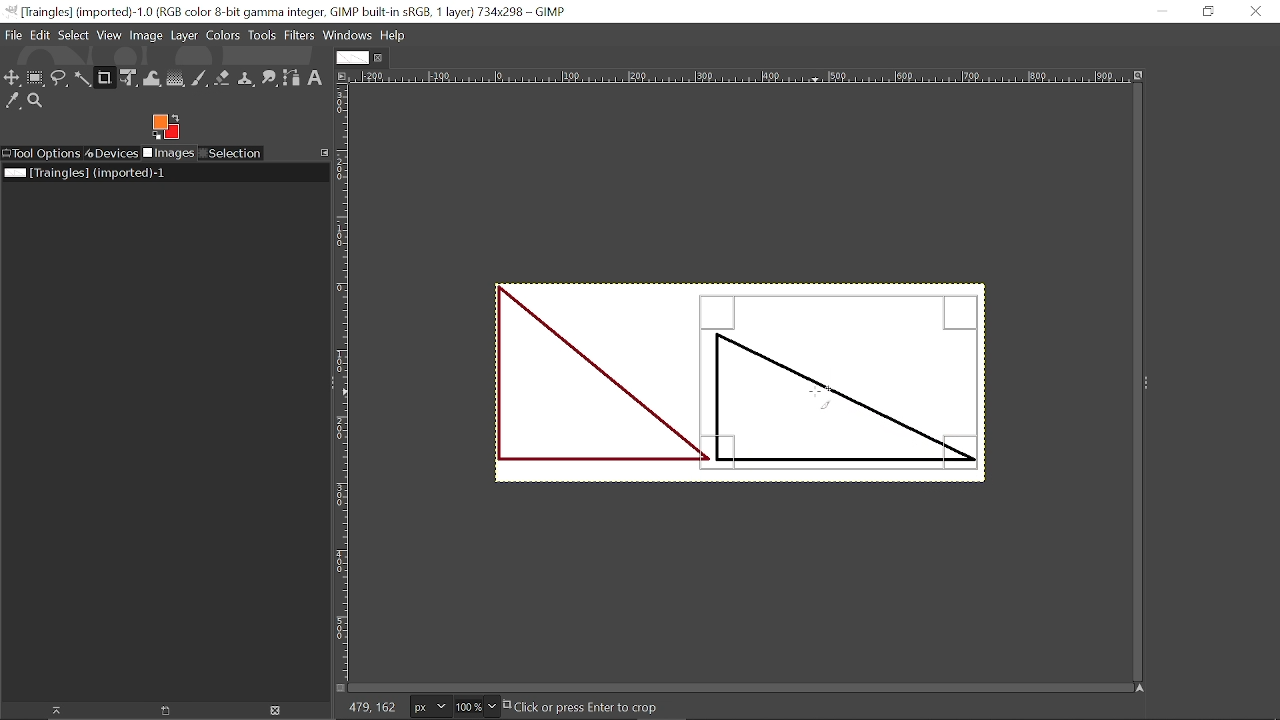 This screenshot has width=1280, height=720. I want to click on Current tab, so click(350, 57).